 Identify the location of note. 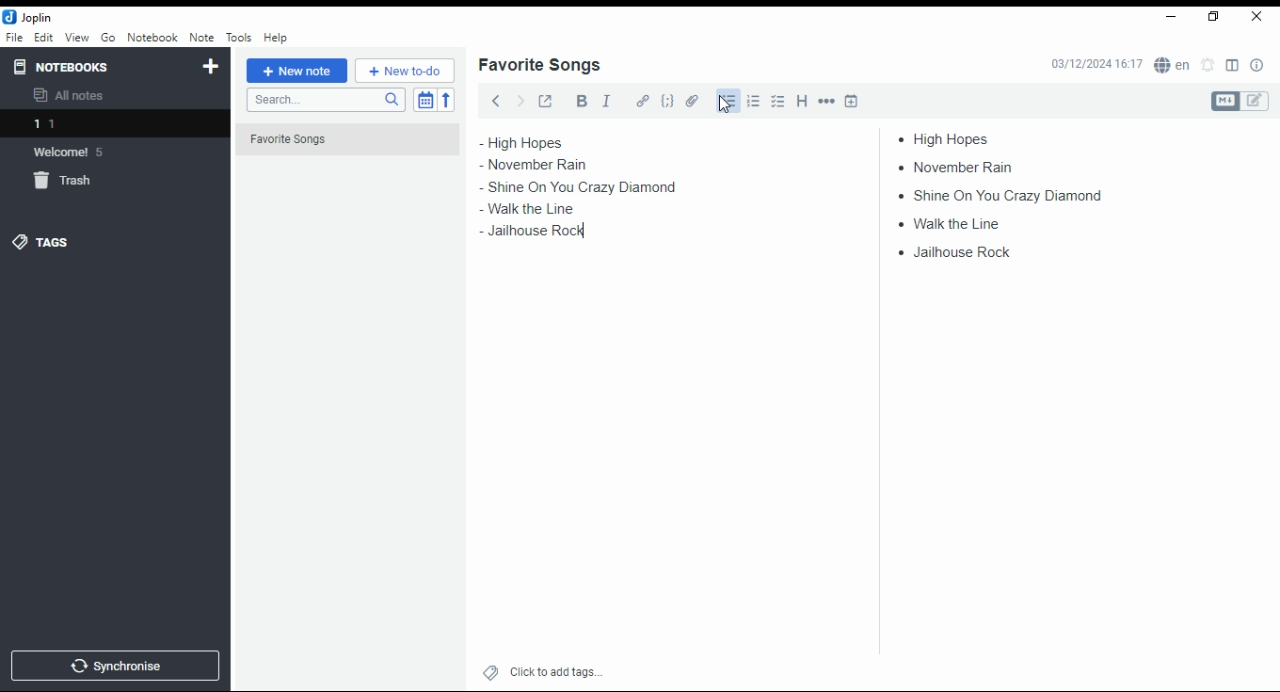
(201, 37).